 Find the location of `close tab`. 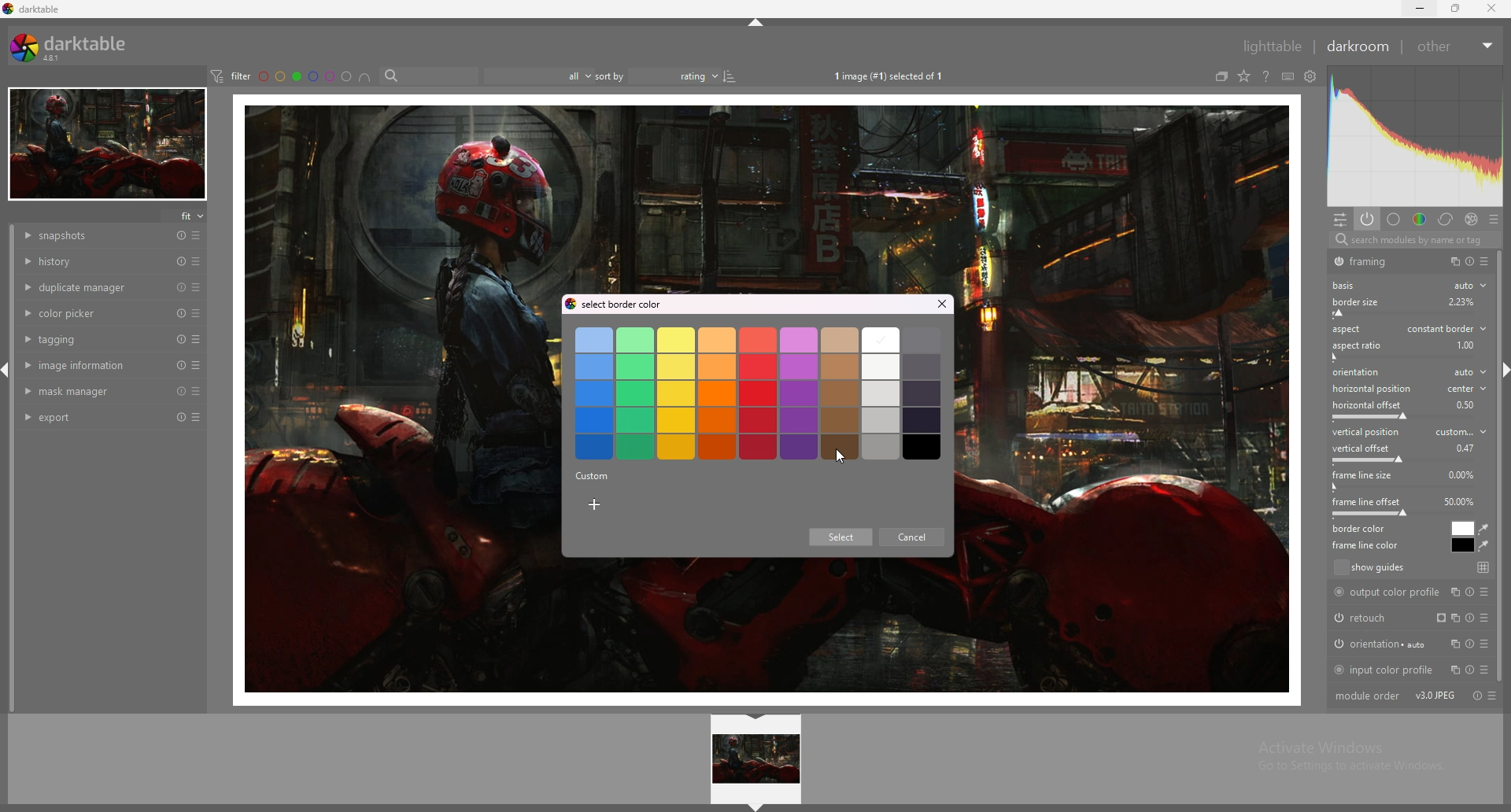

close tab is located at coordinates (938, 304).